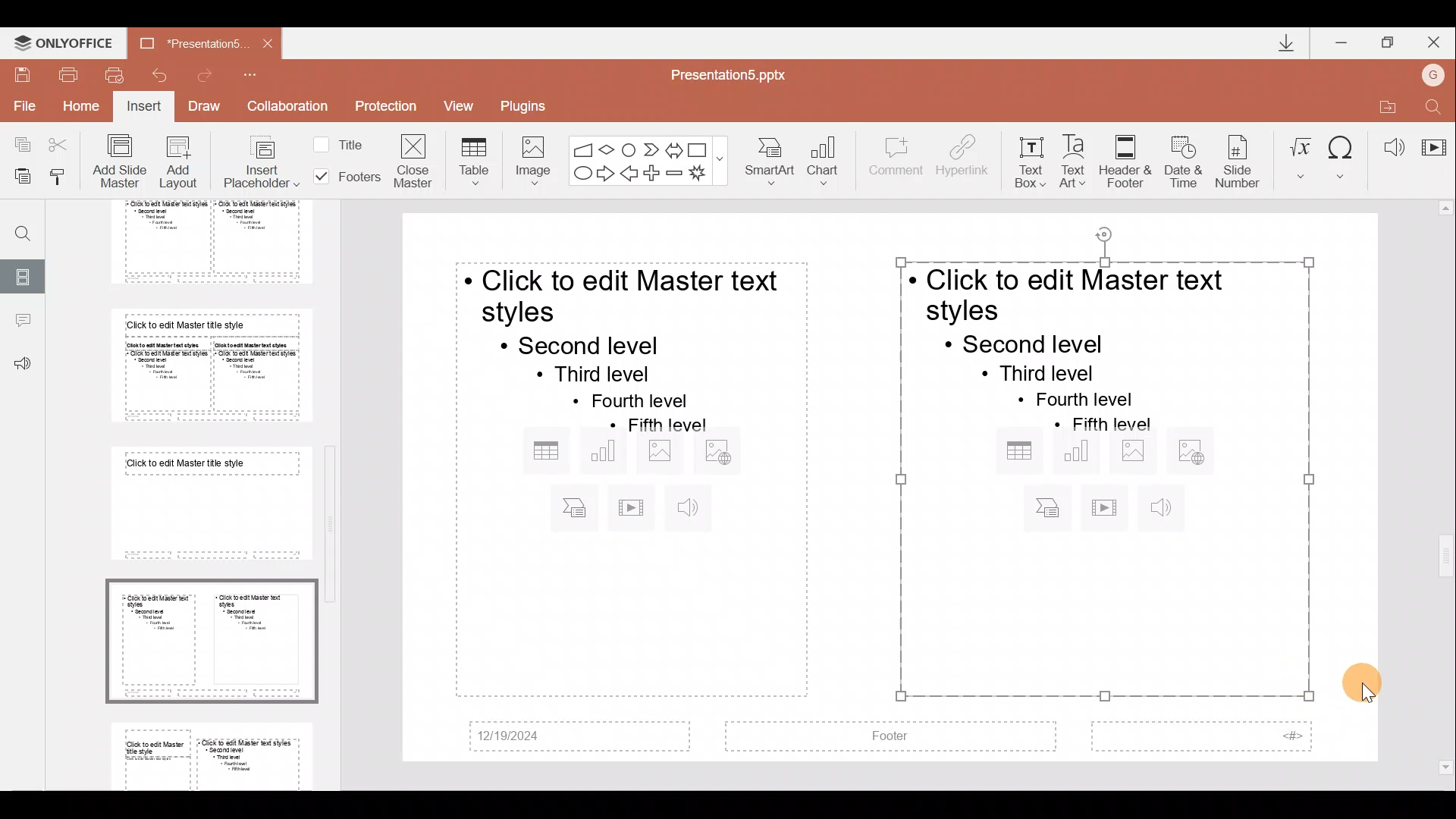 Image resolution: width=1456 pixels, height=819 pixels. What do you see at coordinates (582, 147) in the screenshot?
I see `Flowchart - manual input` at bounding box center [582, 147].